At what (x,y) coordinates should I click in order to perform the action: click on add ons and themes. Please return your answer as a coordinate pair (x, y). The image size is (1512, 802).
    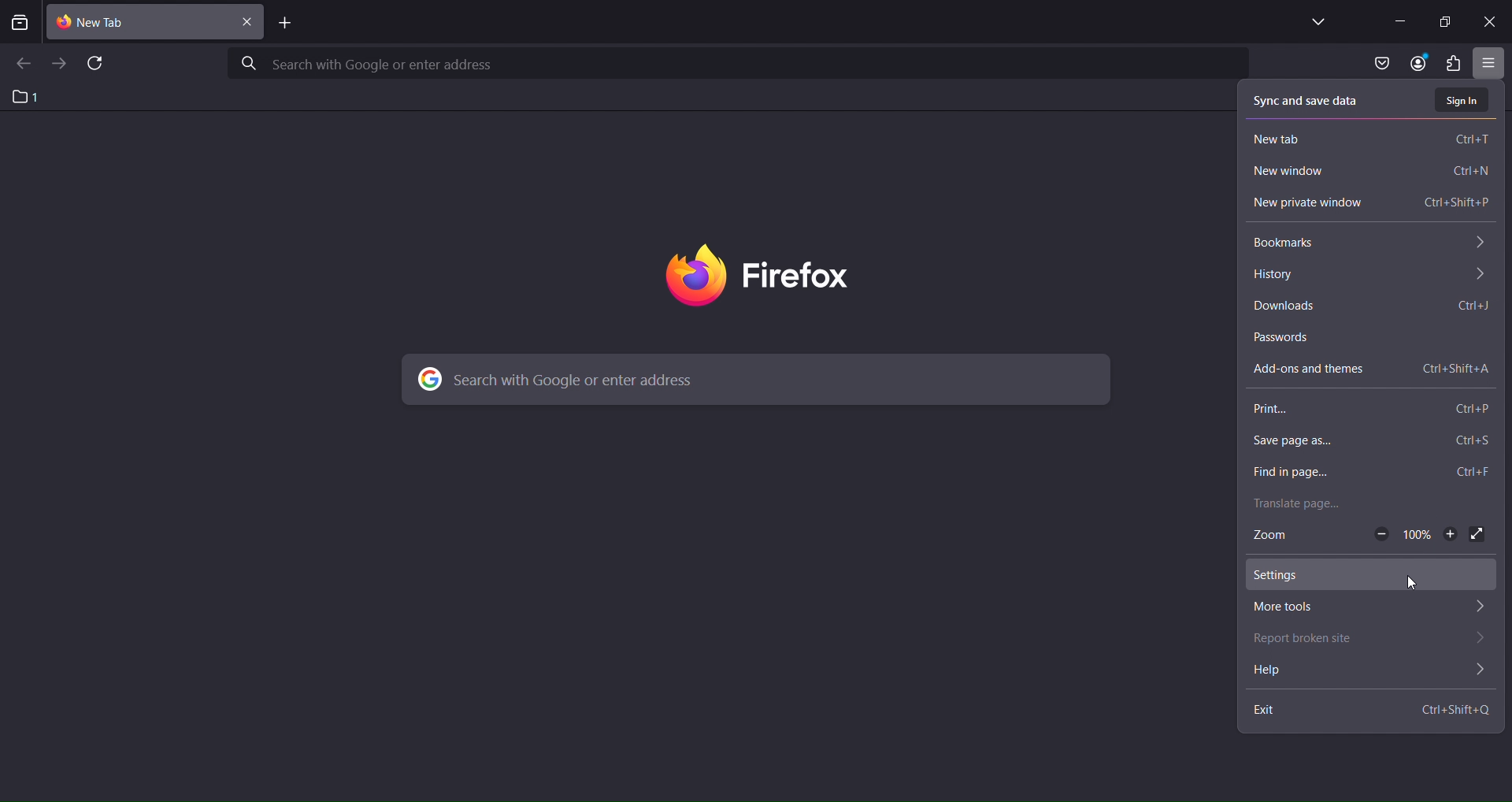
    Looking at the image, I should click on (1370, 367).